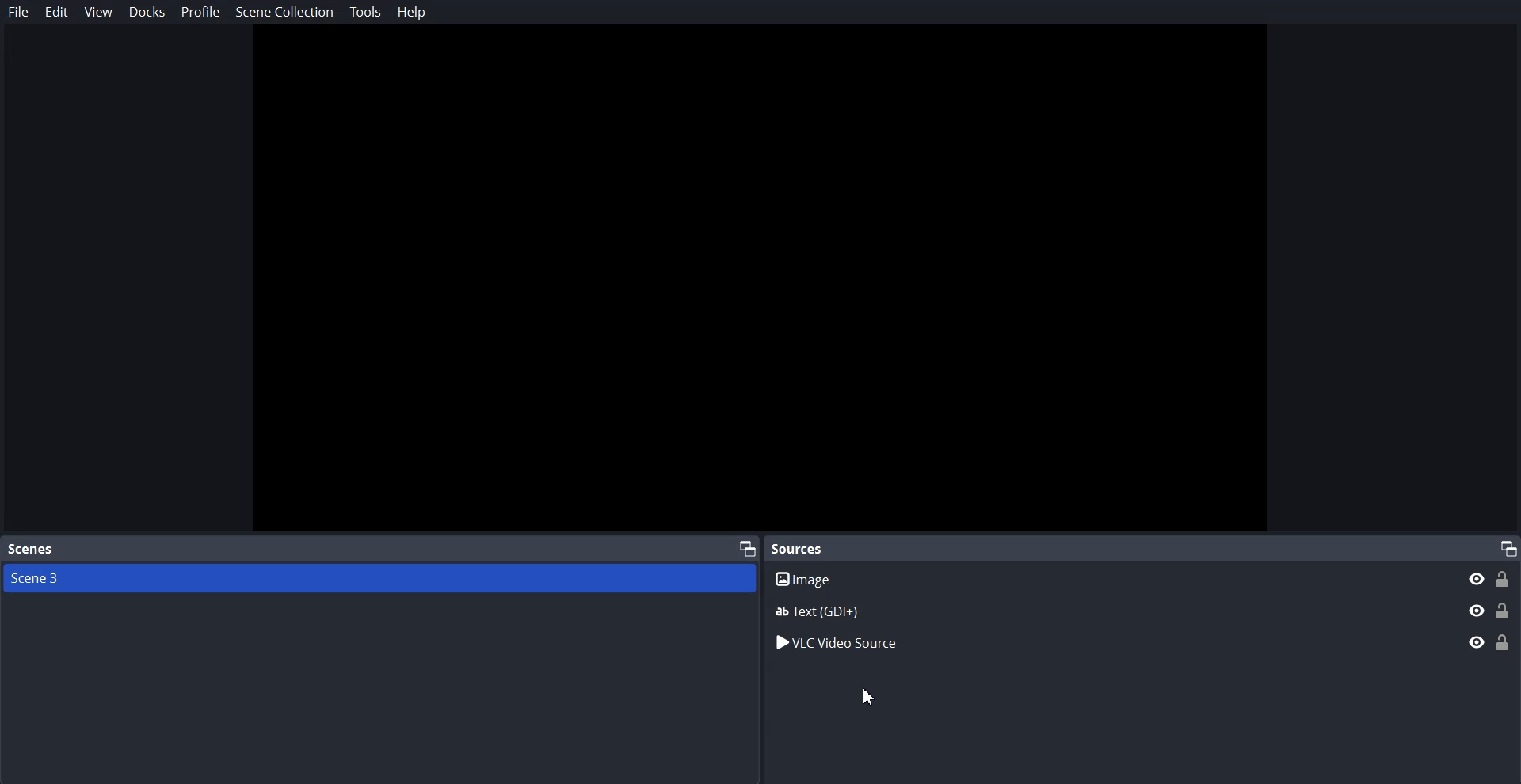 Image resolution: width=1521 pixels, height=784 pixels. Describe the element at coordinates (802, 548) in the screenshot. I see `Sources` at that location.